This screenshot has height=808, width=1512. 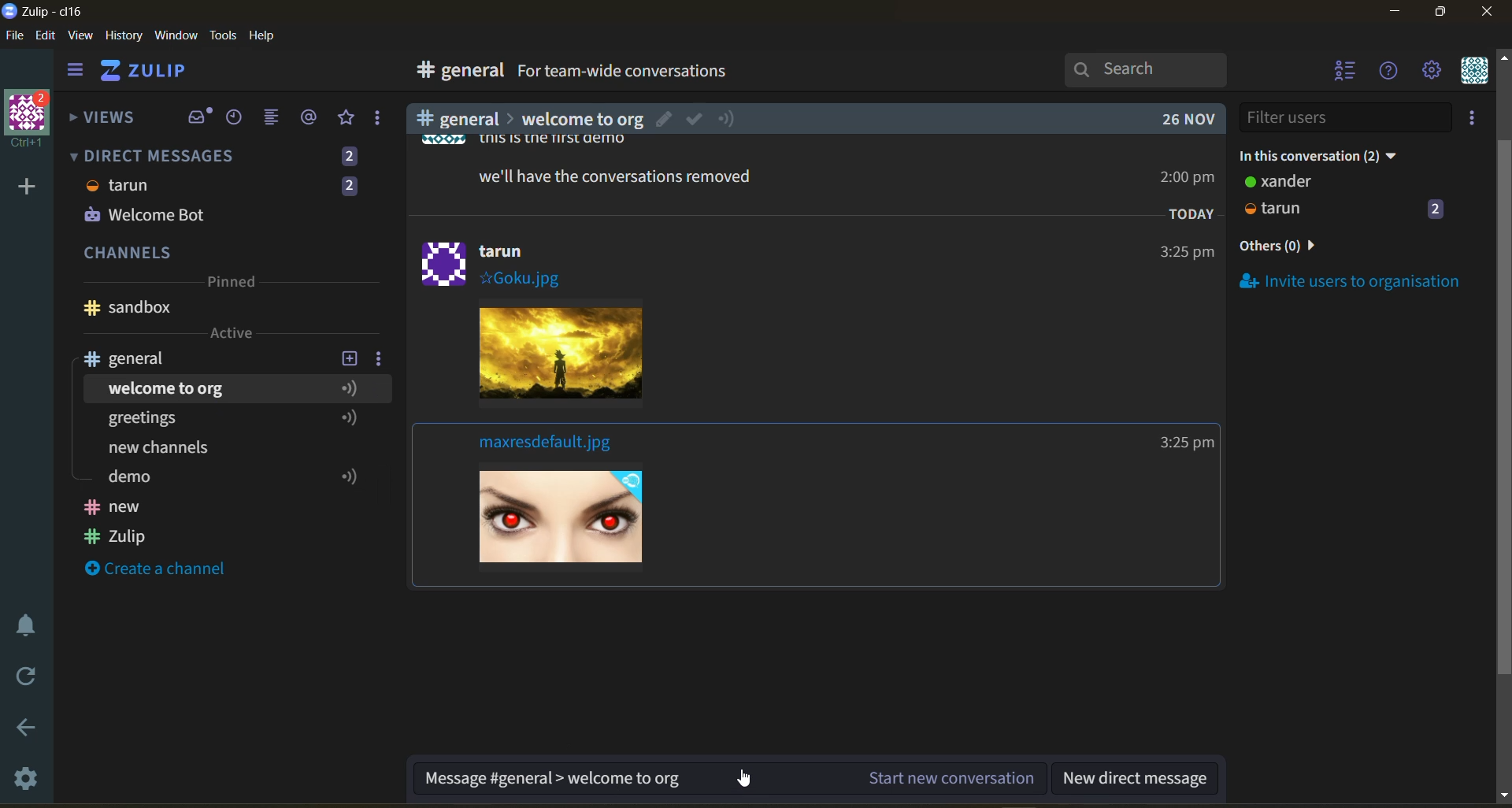 What do you see at coordinates (1303, 247) in the screenshot?
I see `others` at bounding box center [1303, 247].